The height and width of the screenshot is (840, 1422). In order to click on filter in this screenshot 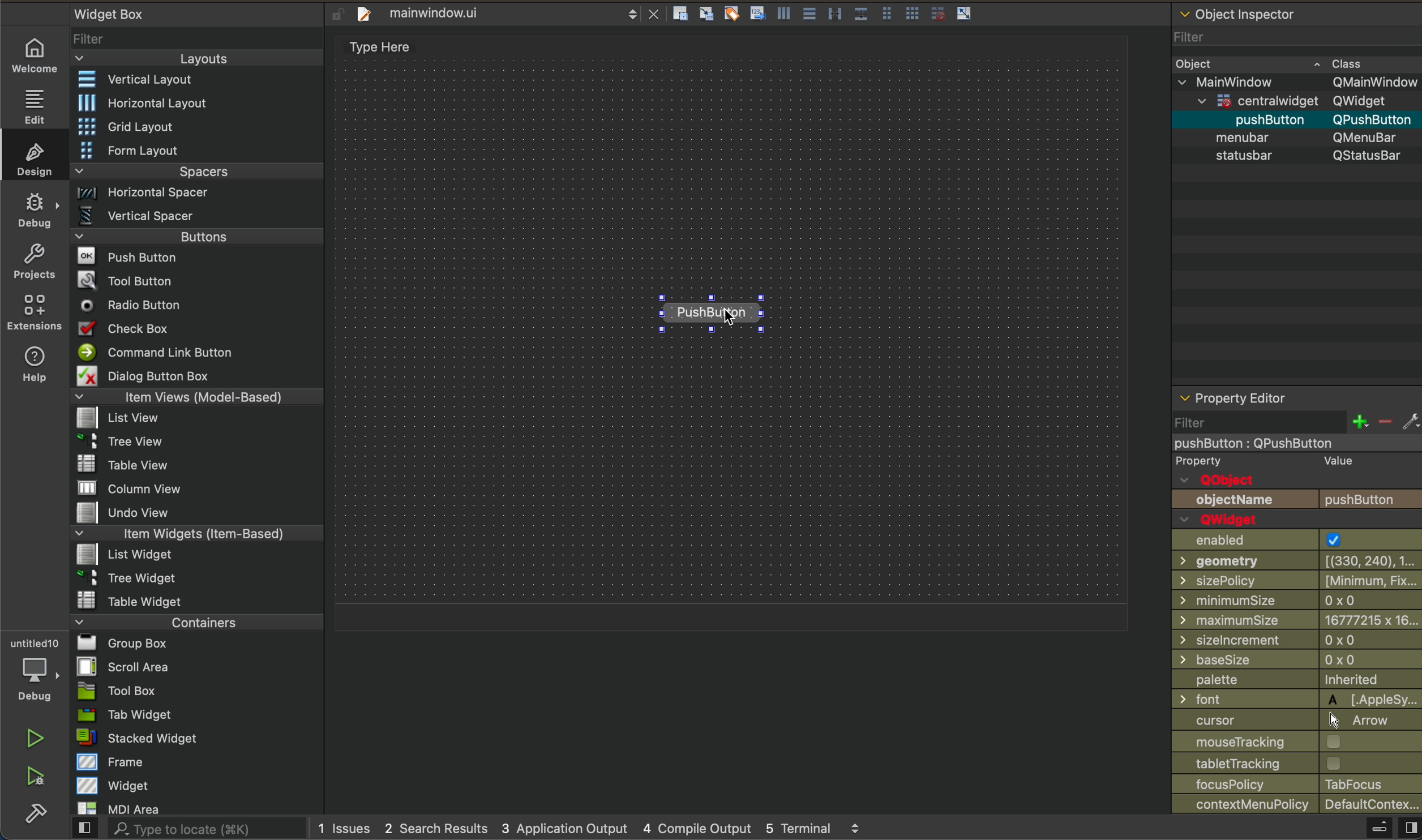, I will do `click(199, 38)`.